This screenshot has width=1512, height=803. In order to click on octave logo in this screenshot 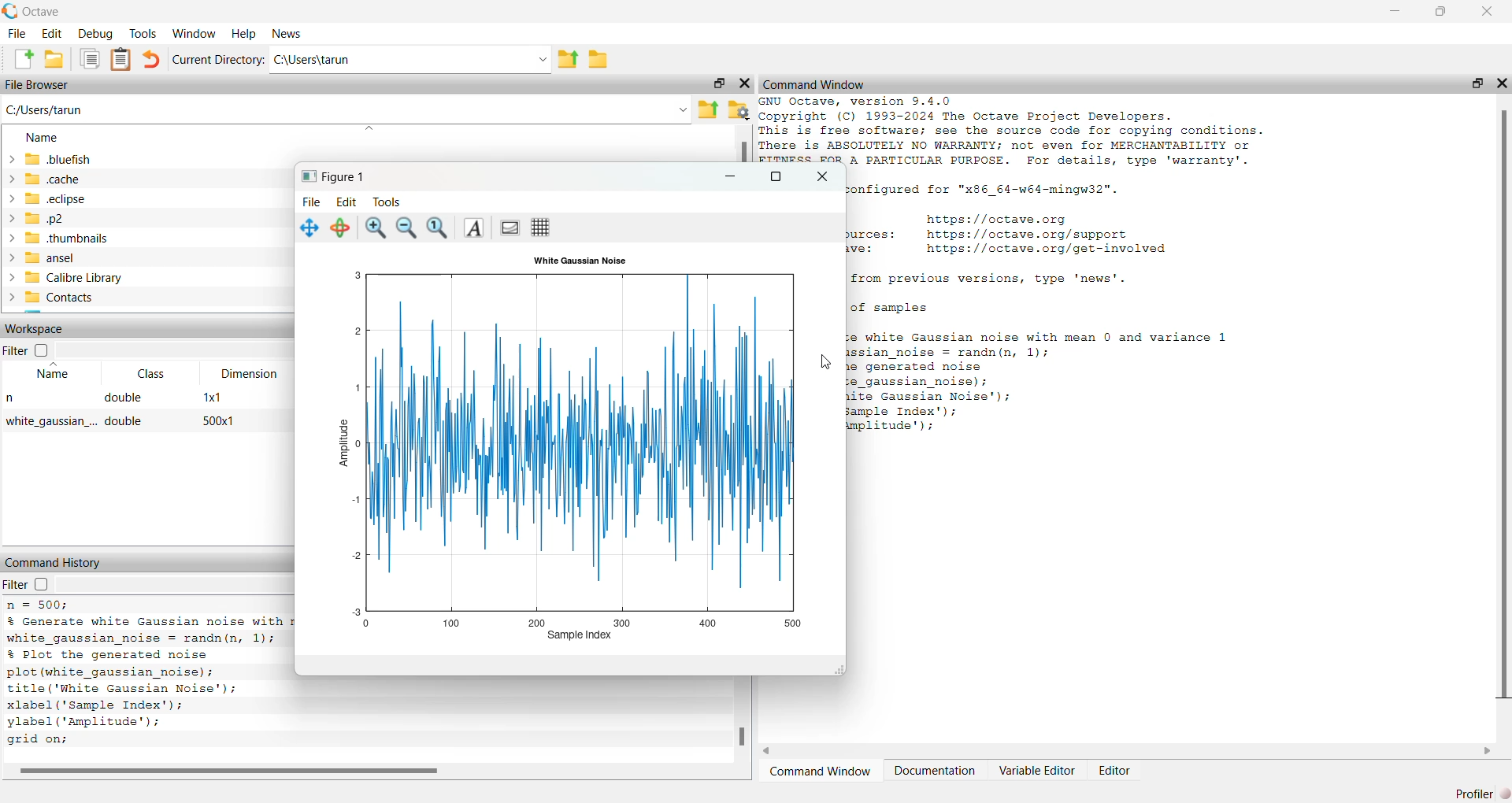, I will do `click(9, 11)`.